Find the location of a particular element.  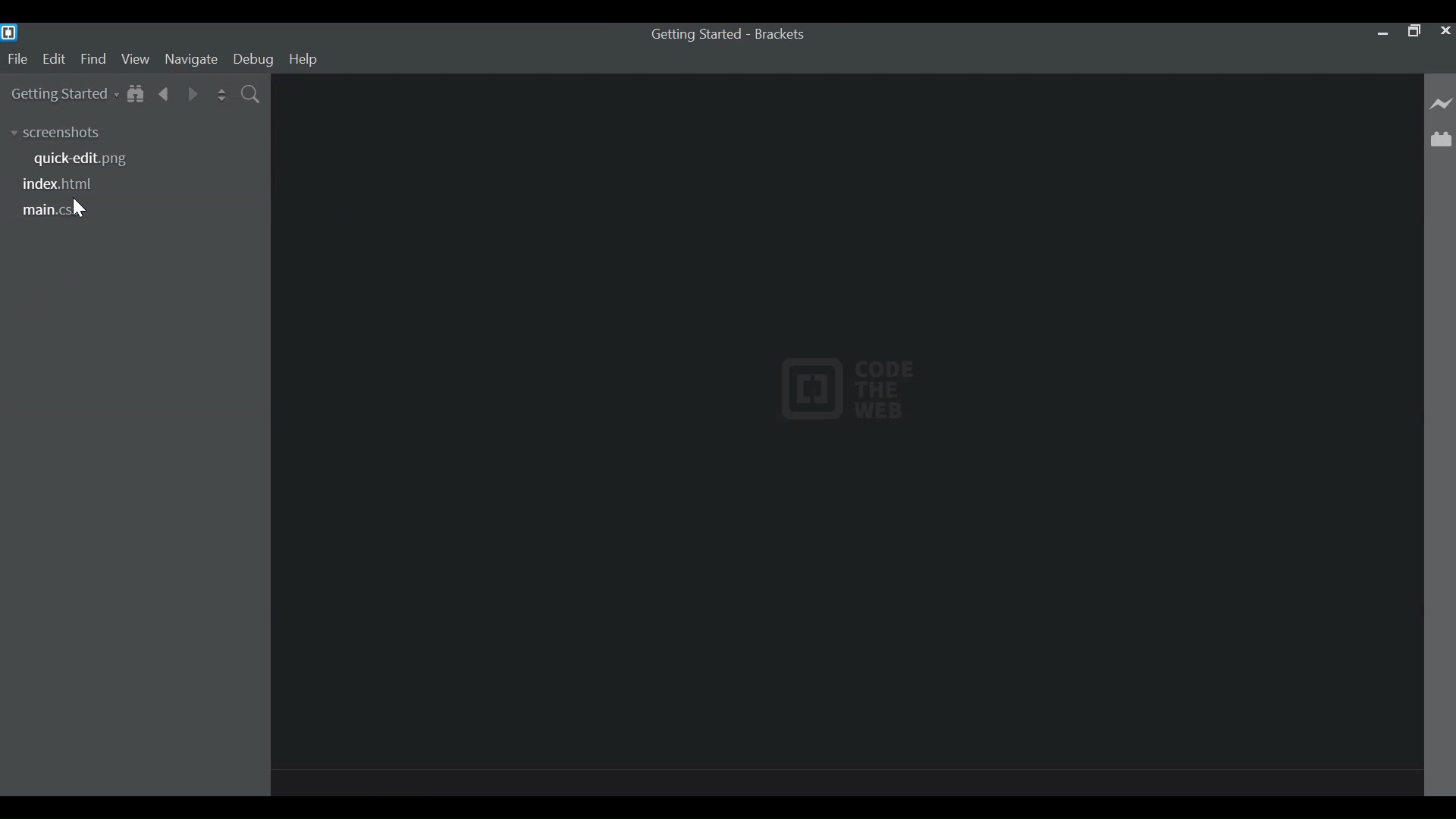

Debug is located at coordinates (253, 59).